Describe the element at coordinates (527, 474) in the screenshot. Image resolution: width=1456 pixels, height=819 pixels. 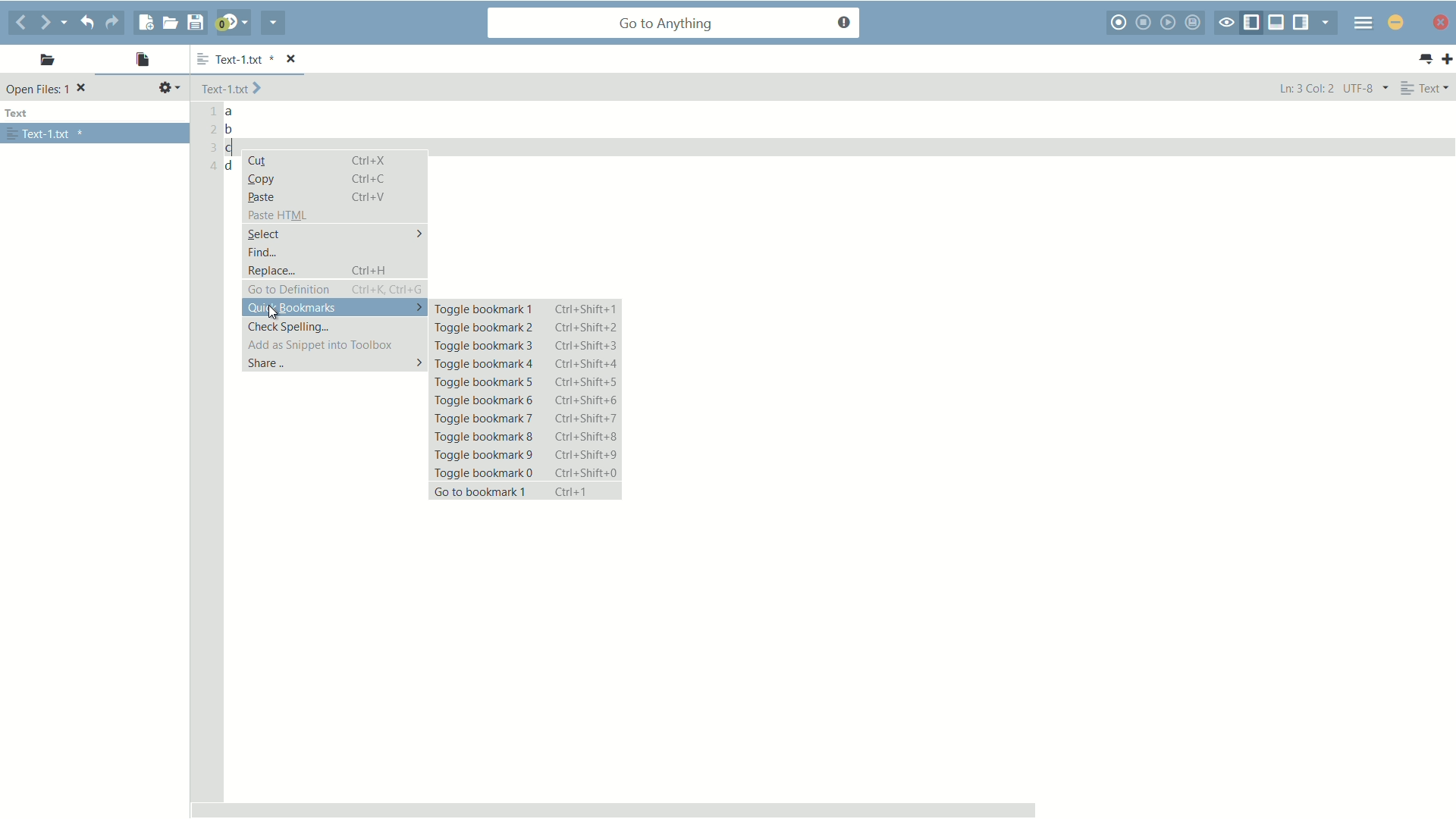
I see `toggle bookmark 0` at that location.